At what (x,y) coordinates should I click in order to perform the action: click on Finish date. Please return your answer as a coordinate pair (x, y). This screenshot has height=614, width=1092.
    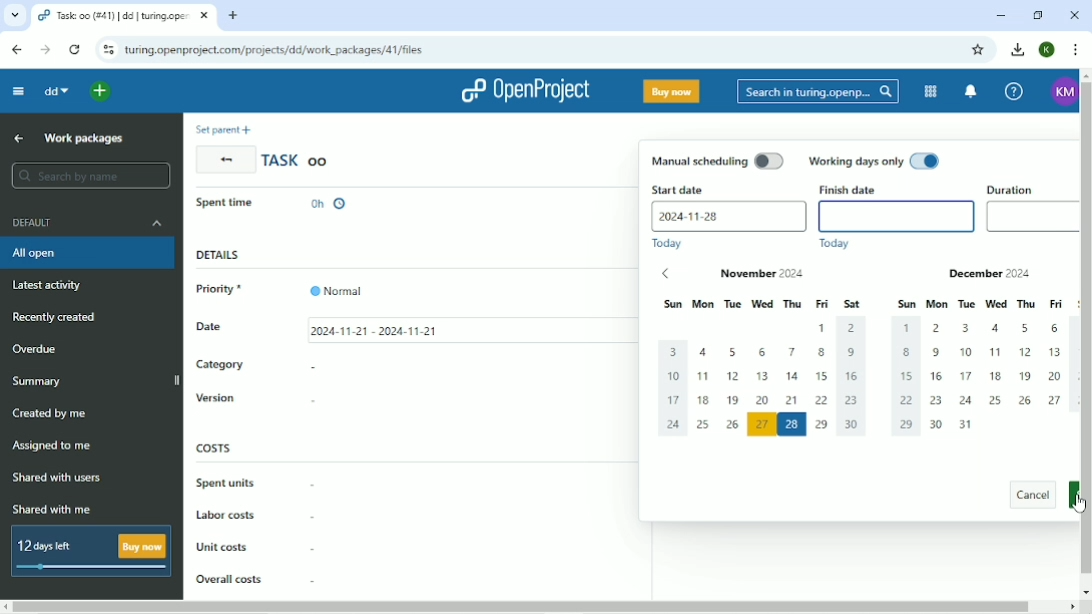
    Looking at the image, I should click on (866, 190).